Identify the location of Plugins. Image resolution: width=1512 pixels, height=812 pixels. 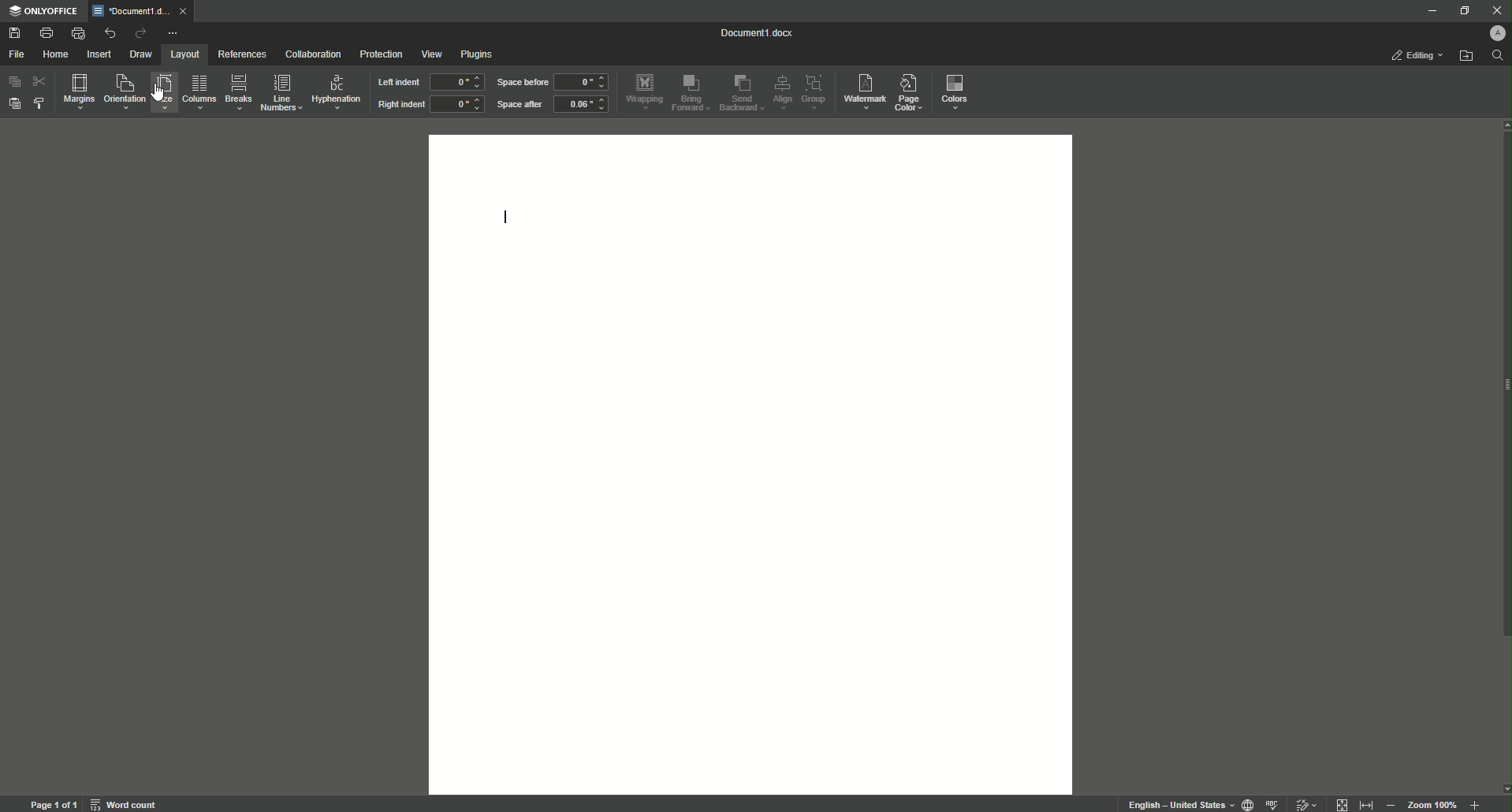
(480, 54).